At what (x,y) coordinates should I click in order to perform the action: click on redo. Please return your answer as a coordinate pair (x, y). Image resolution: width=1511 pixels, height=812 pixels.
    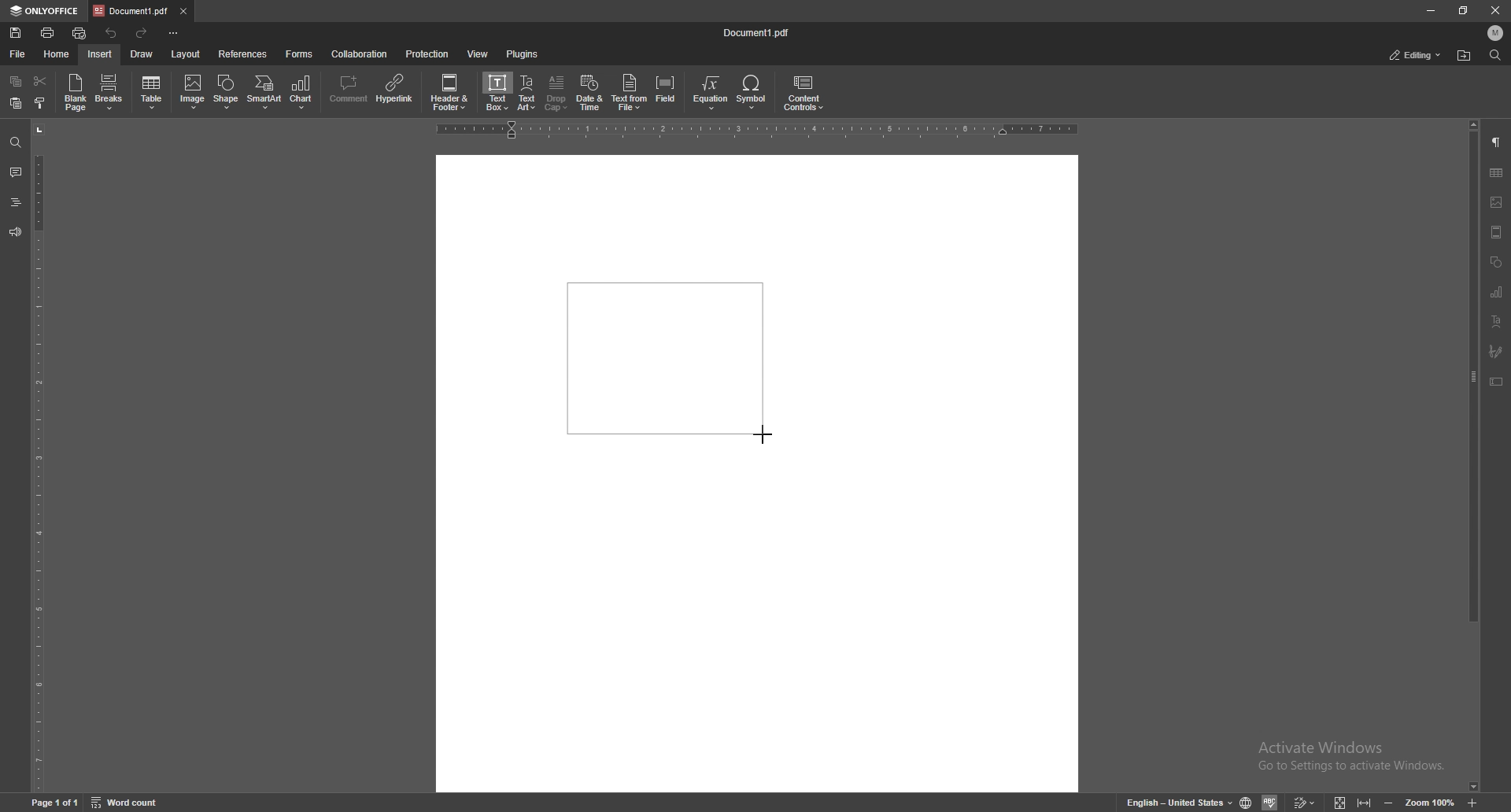
    Looking at the image, I should click on (144, 34).